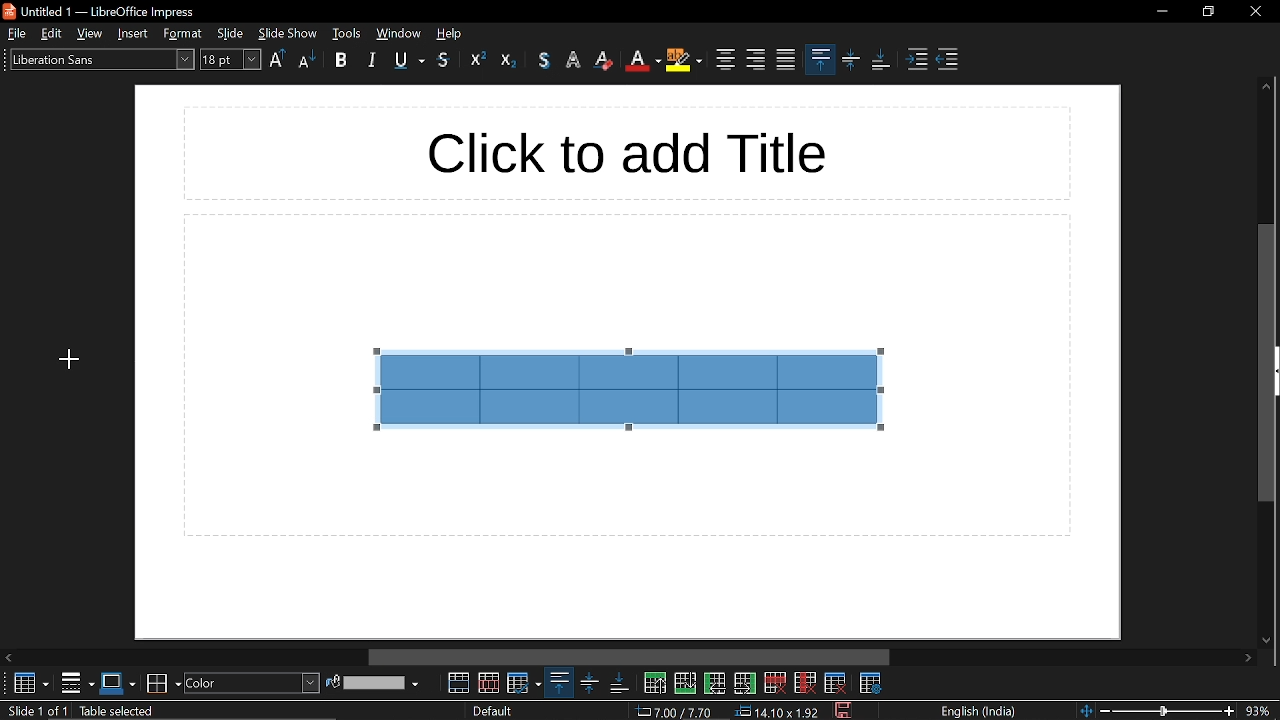  I want to click on insert column after, so click(746, 684).